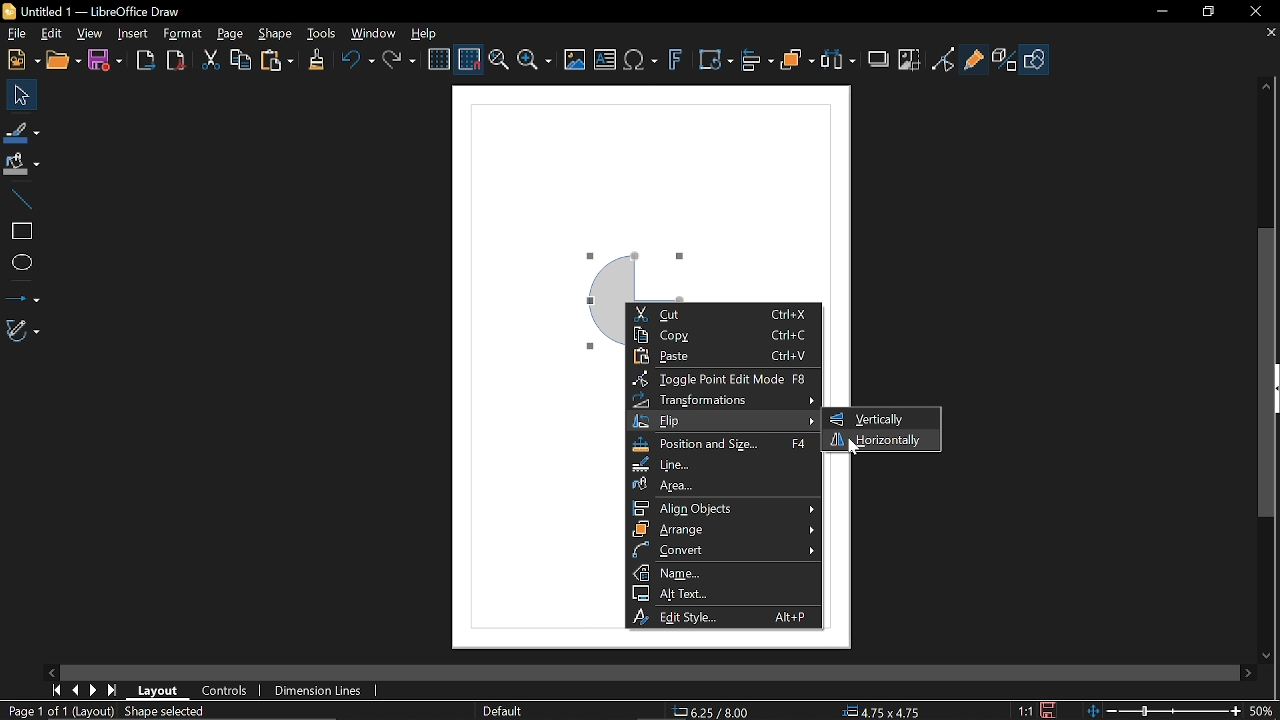 This screenshot has height=720, width=1280. I want to click on Page 1 of 1 (Layout), so click(57, 710).